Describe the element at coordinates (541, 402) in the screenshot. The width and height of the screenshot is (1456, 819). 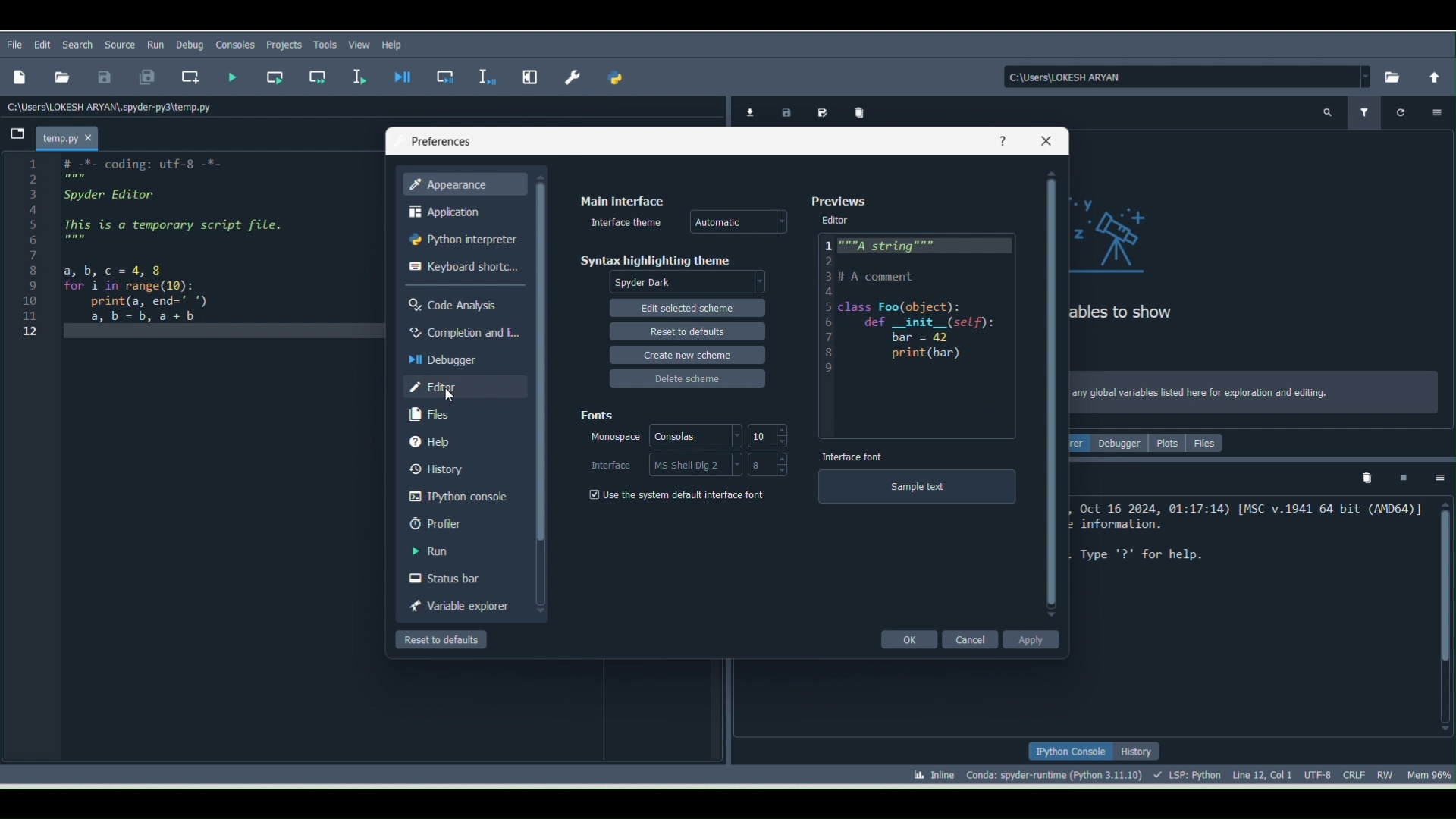
I see `Scrollbar` at that location.